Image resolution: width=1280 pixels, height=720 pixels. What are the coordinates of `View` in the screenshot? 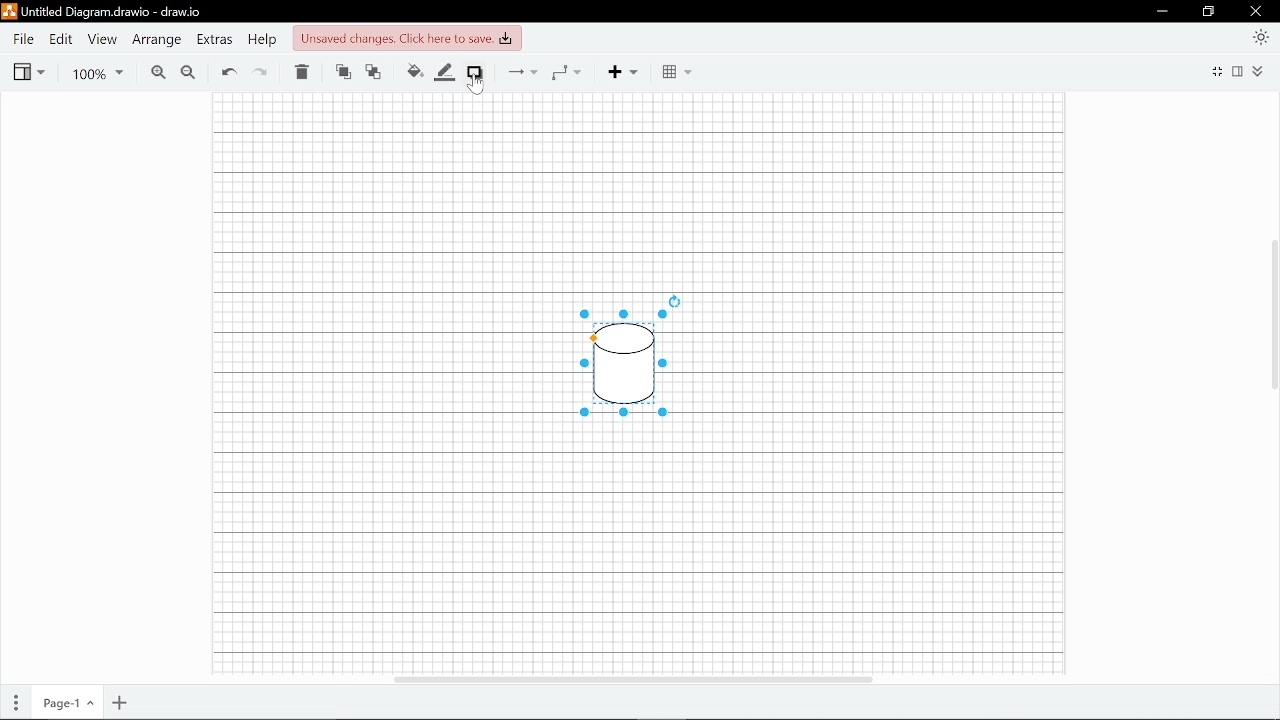 It's located at (29, 72).